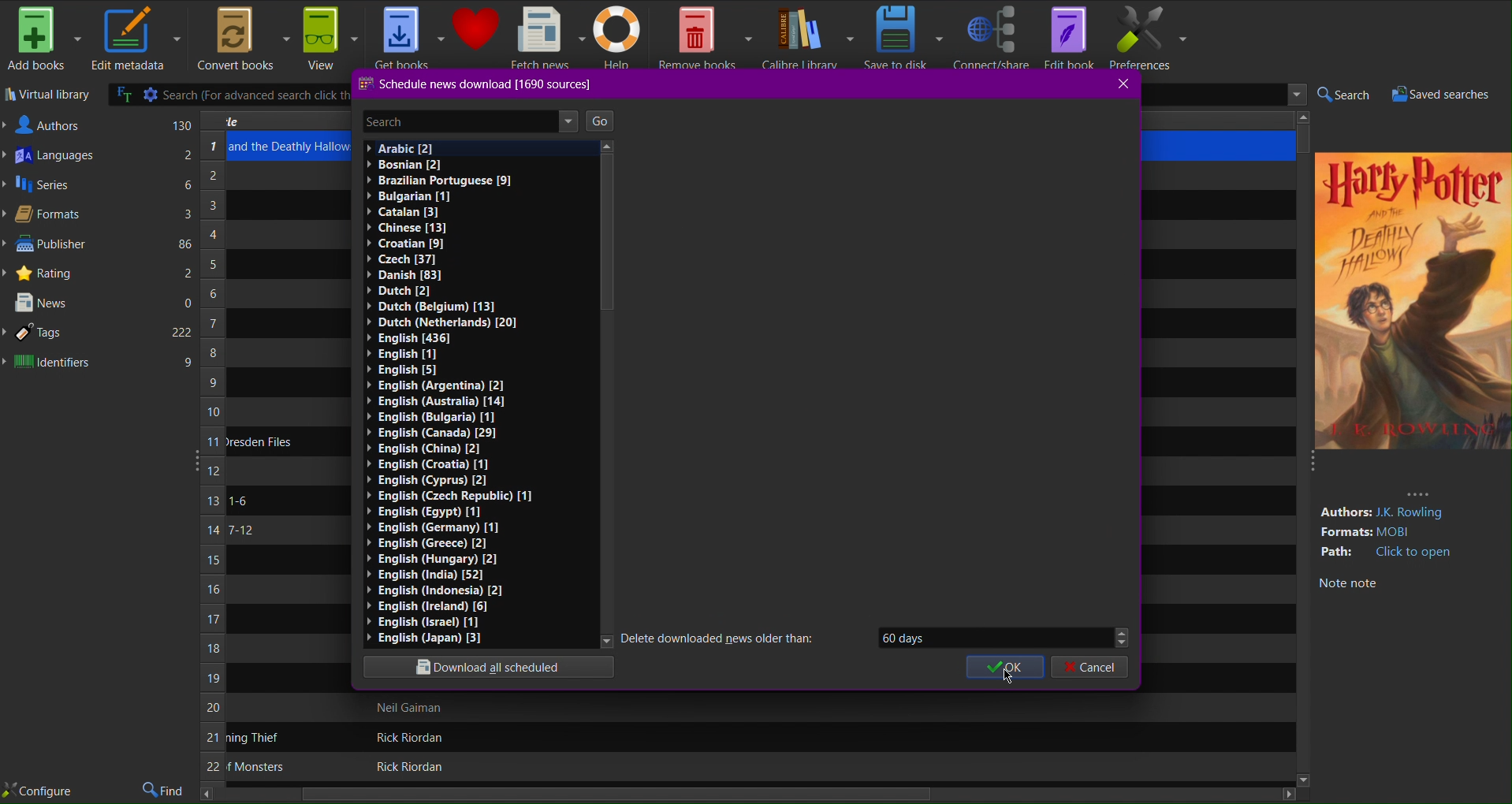  What do you see at coordinates (240, 39) in the screenshot?
I see `Convert` at bounding box center [240, 39].